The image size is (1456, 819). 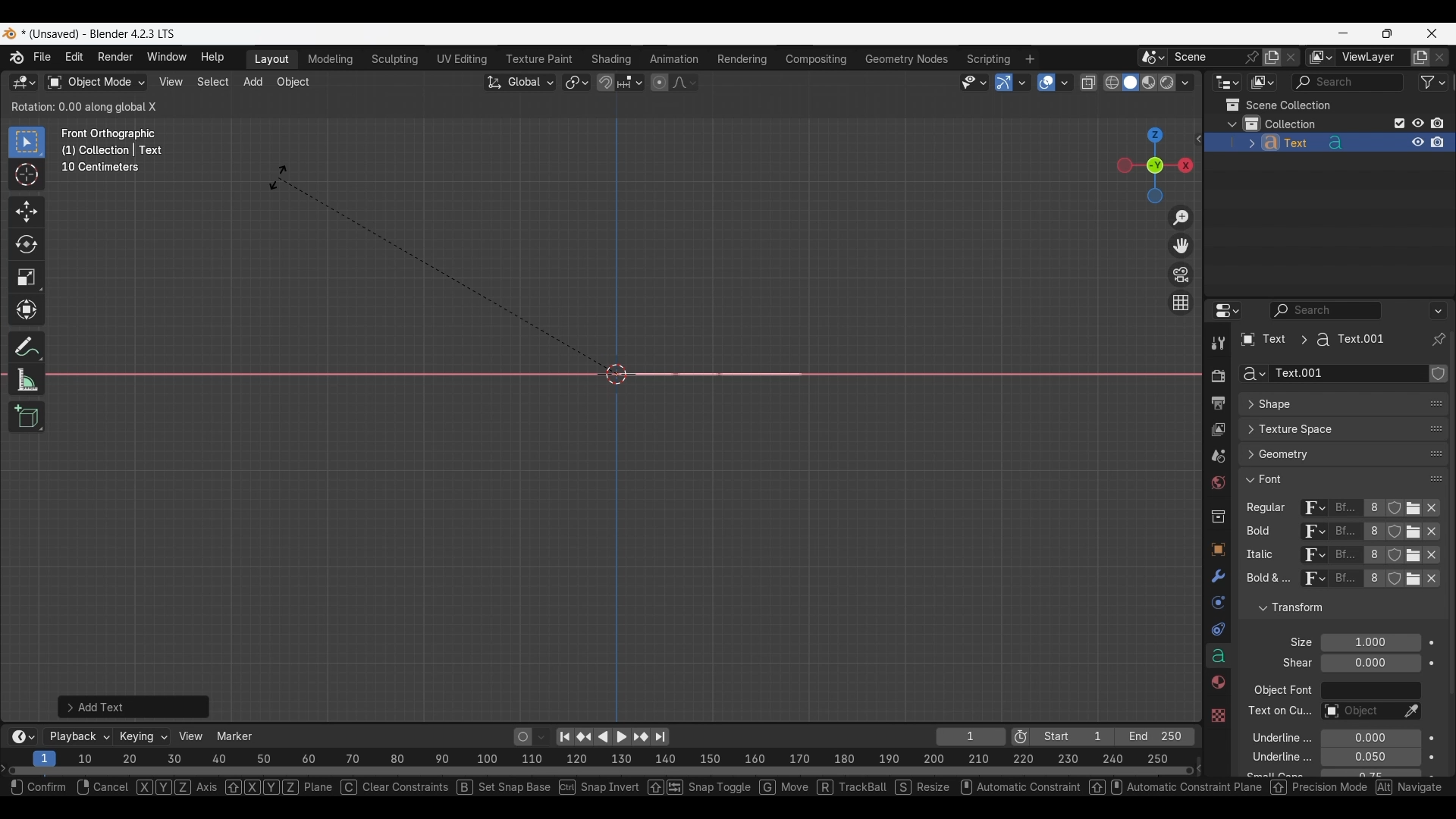 What do you see at coordinates (685, 82) in the screenshot?
I see `Proportional editing falloff` at bounding box center [685, 82].